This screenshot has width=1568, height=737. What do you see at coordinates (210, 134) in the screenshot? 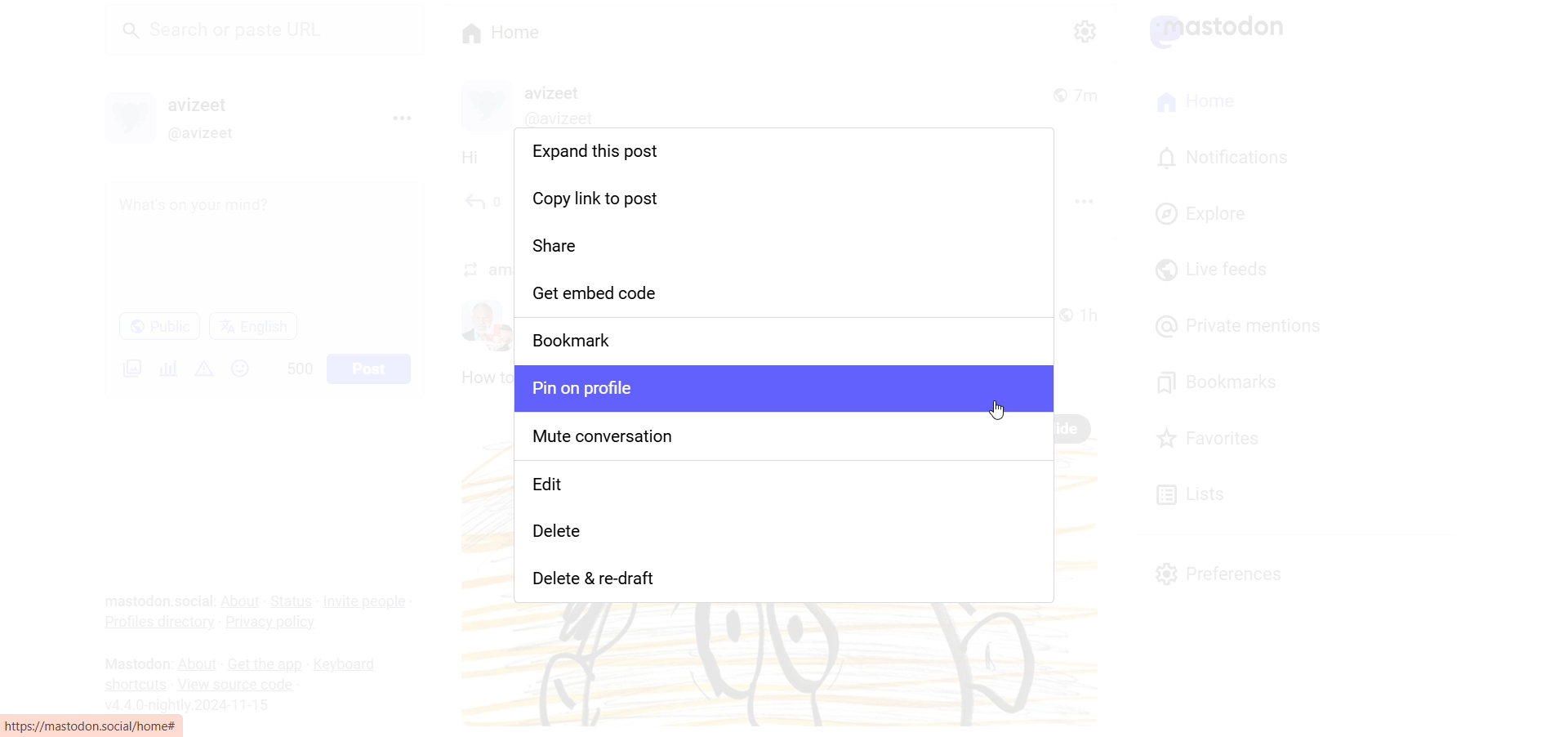
I see `@User` at bounding box center [210, 134].